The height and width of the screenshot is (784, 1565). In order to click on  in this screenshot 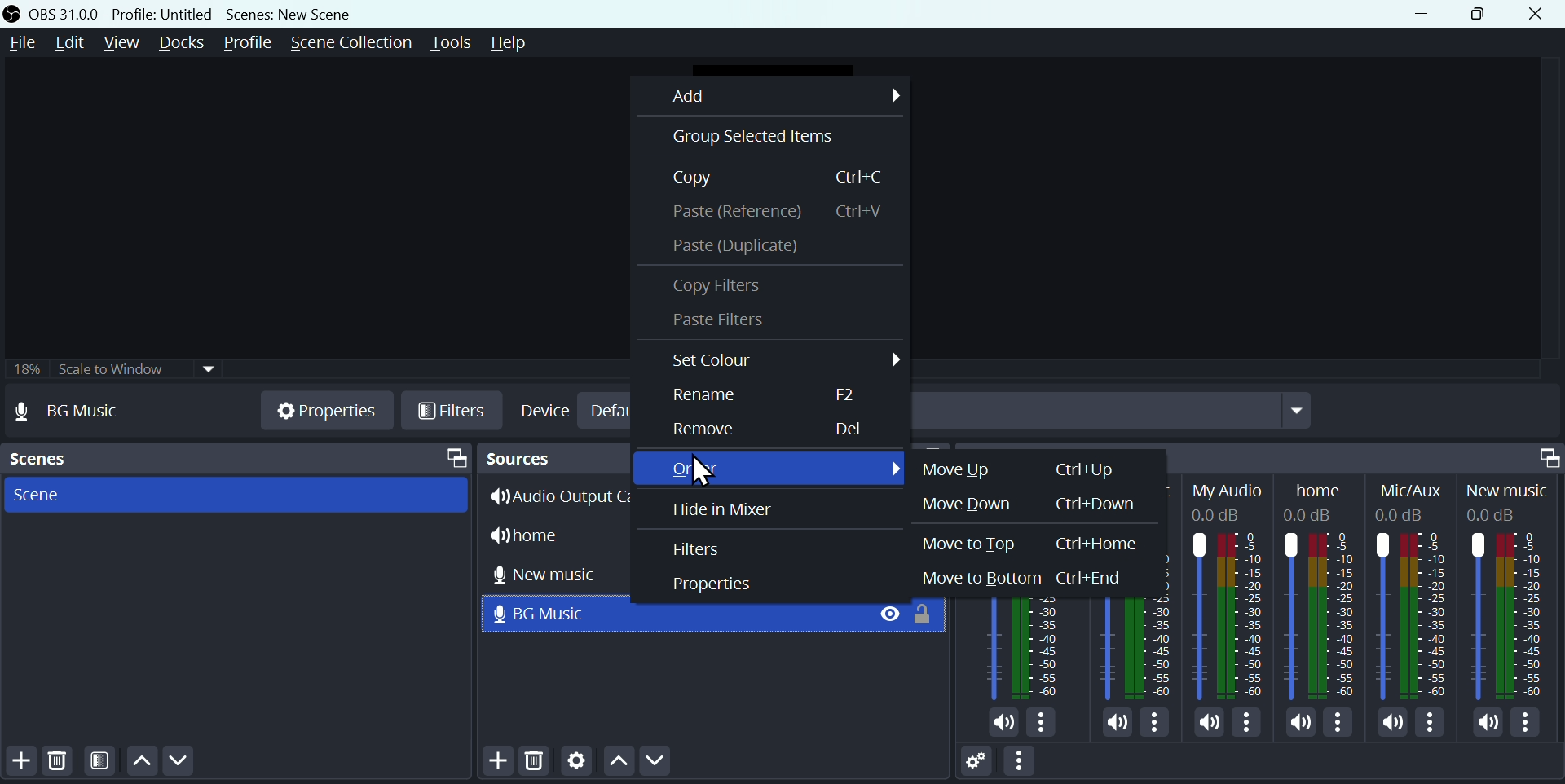, I will do `click(708, 429)`.